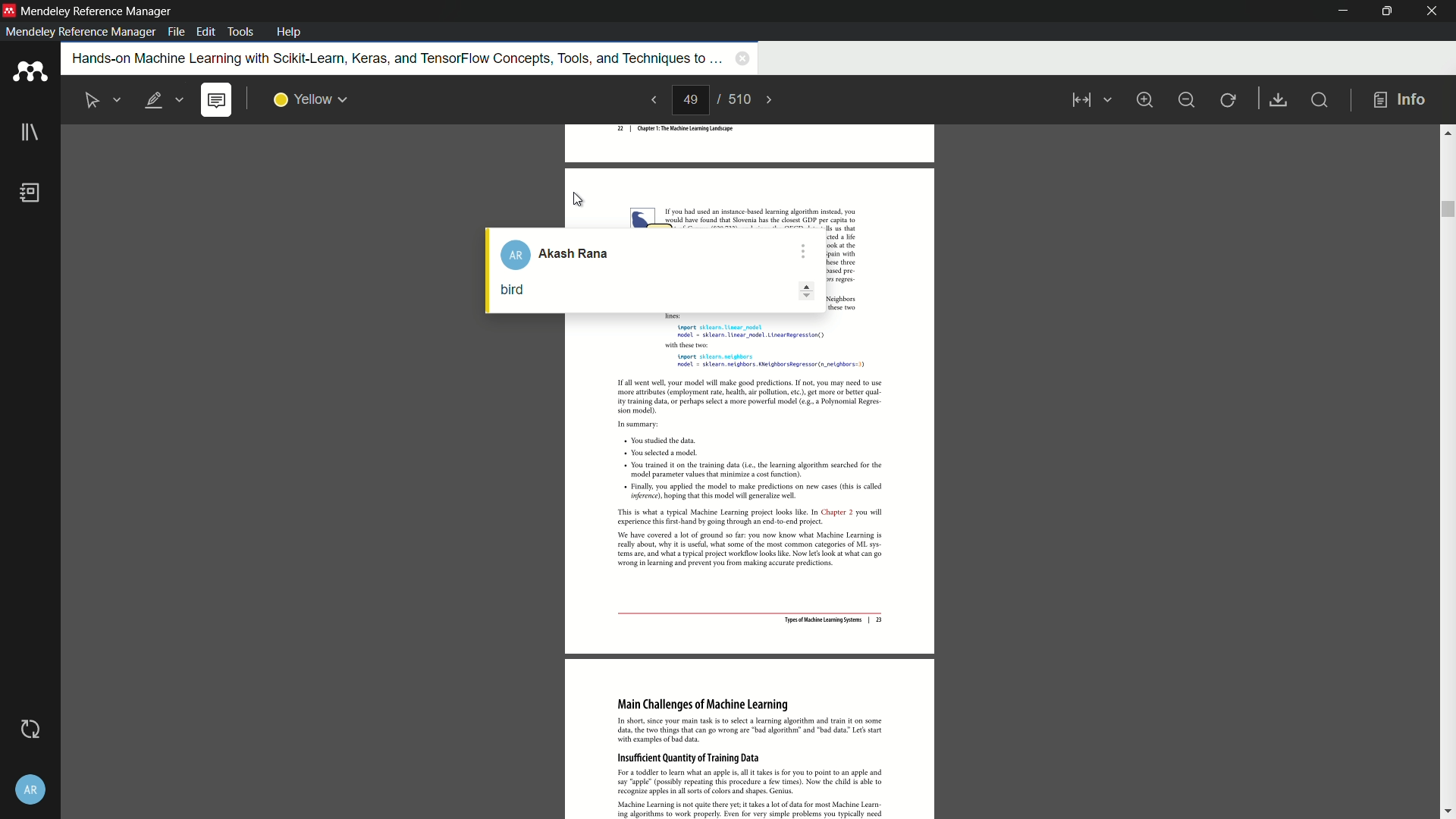 This screenshot has height=819, width=1456. Describe the element at coordinates (579, 201) in the screenshot. I see `cursor` at that location.